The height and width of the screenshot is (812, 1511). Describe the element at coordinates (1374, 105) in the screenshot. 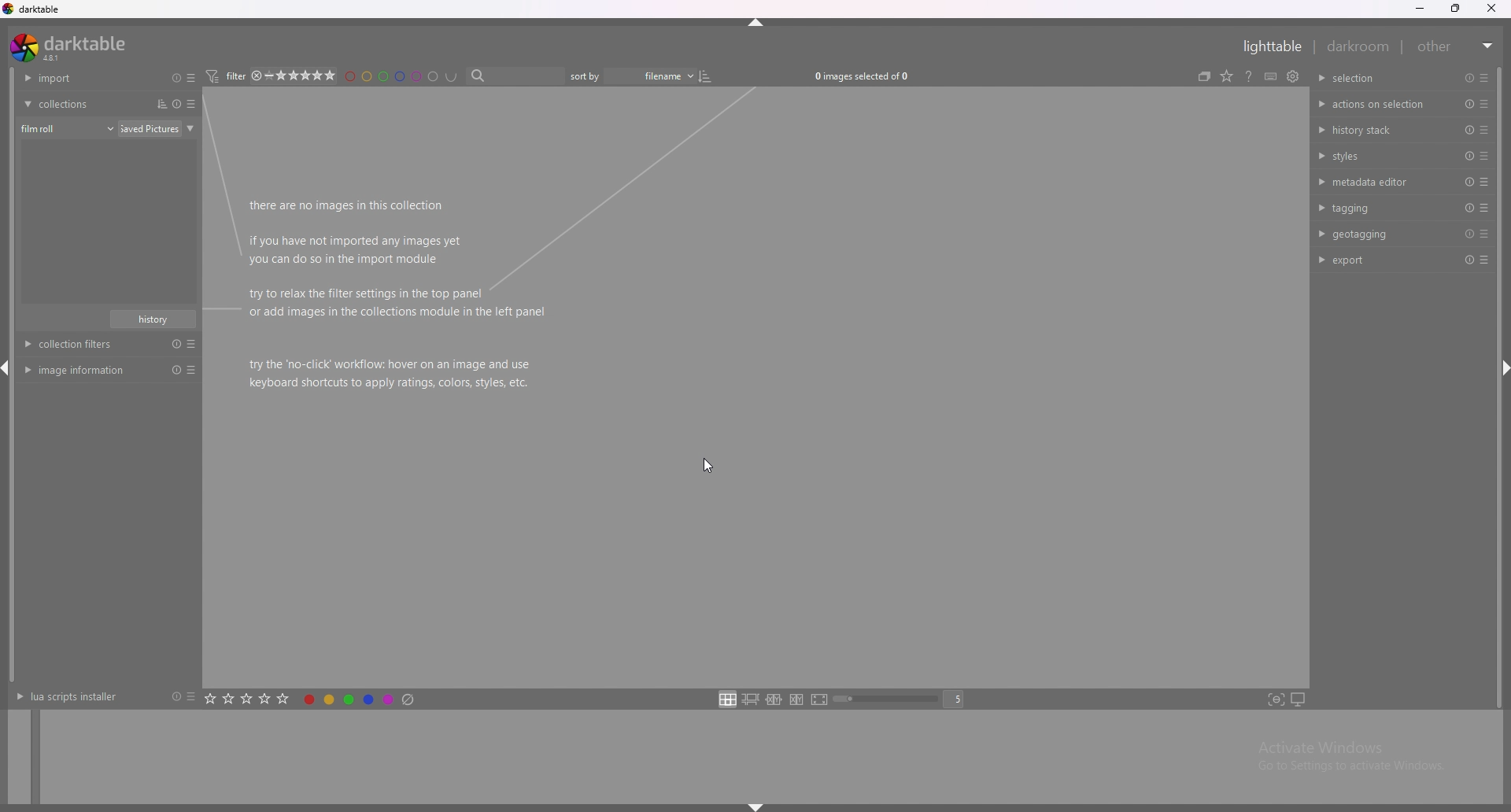

I see `actions on selection` at that location.